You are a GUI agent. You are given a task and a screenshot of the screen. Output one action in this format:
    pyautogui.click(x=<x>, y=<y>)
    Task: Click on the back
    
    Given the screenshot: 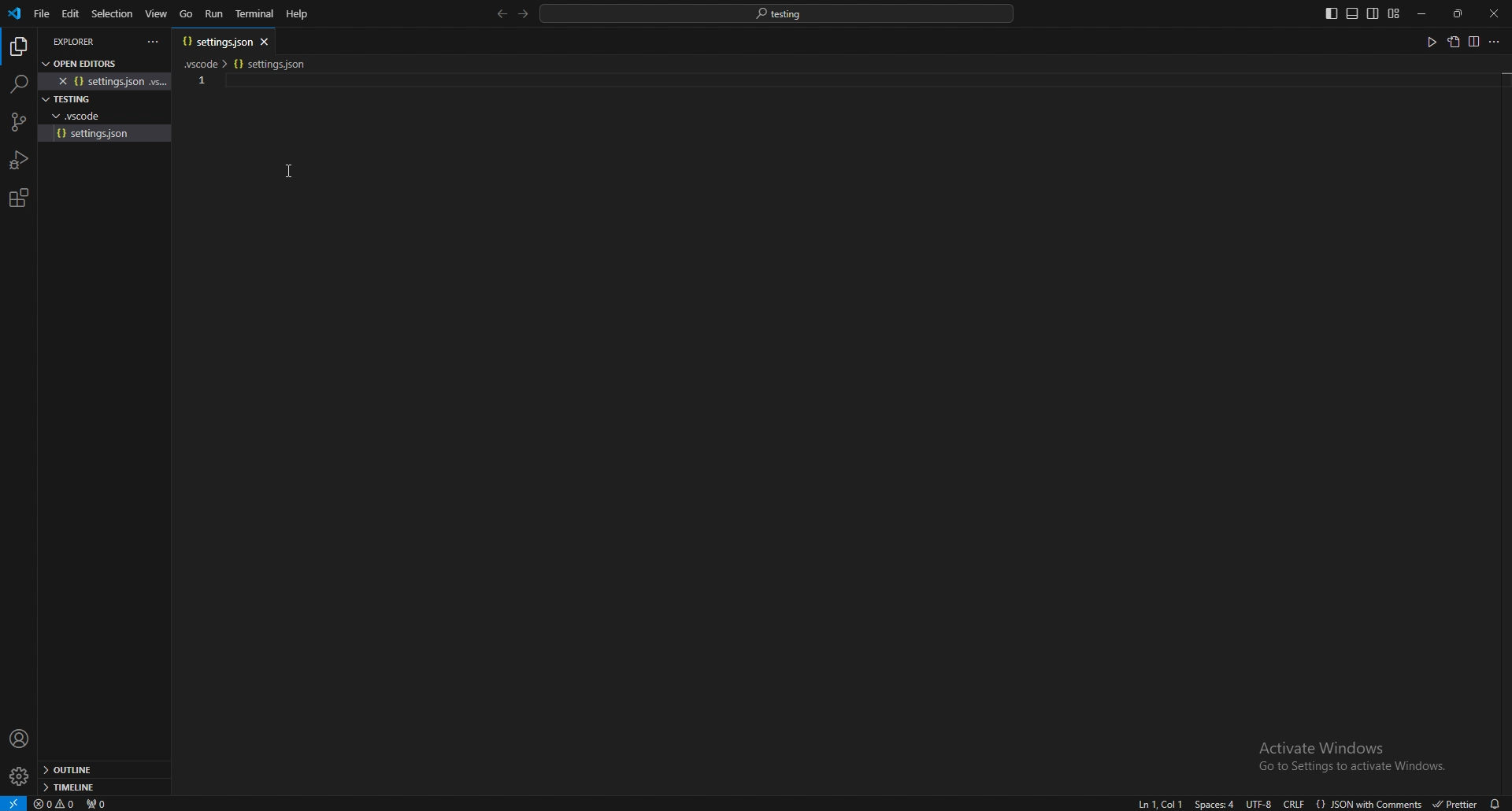 What is the action you would take?
    pyautogui.click(x=498, y=14)
    